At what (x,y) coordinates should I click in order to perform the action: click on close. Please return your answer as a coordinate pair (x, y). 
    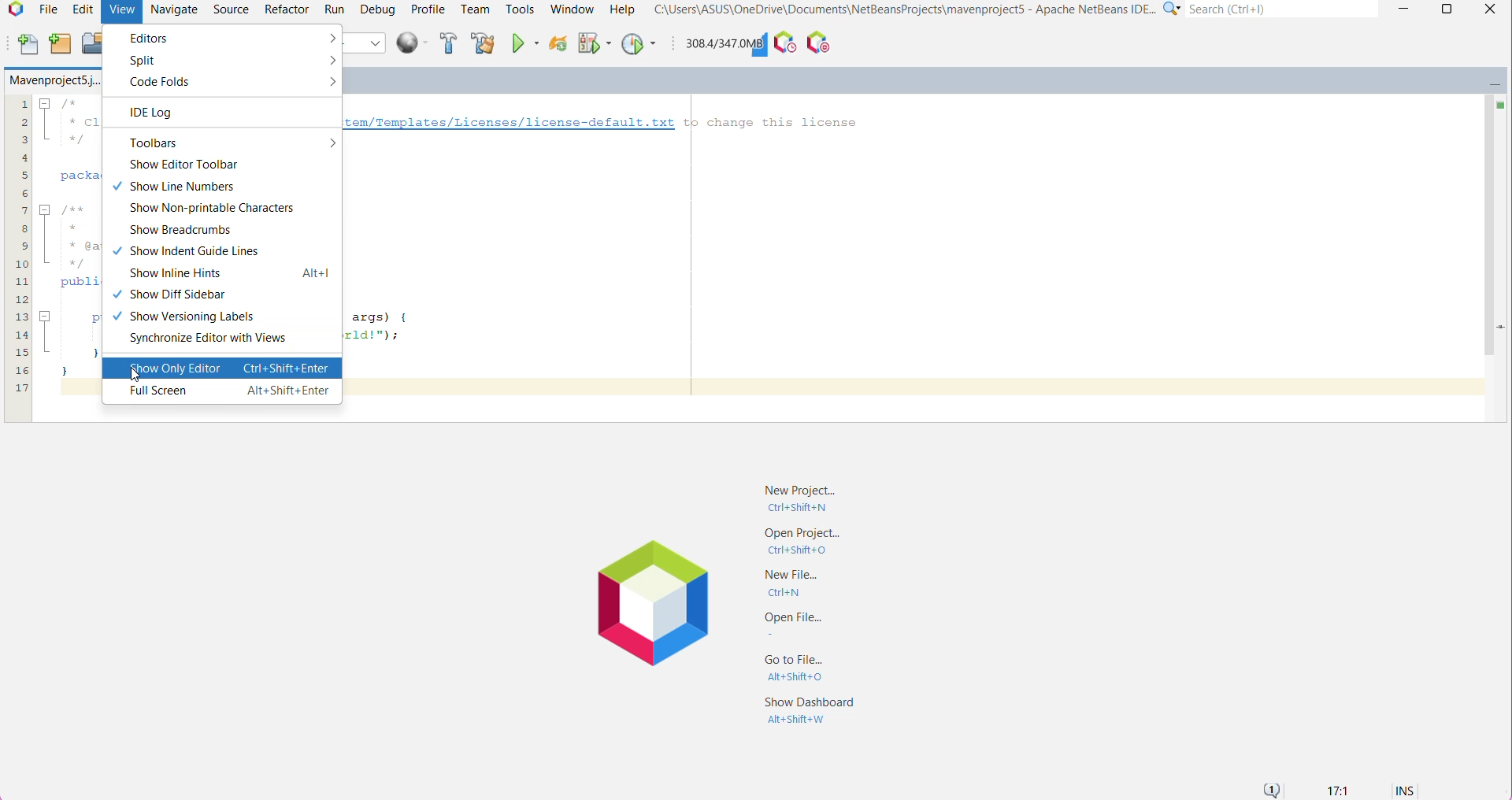
    Looking at the image, I should click on (1490, 11).